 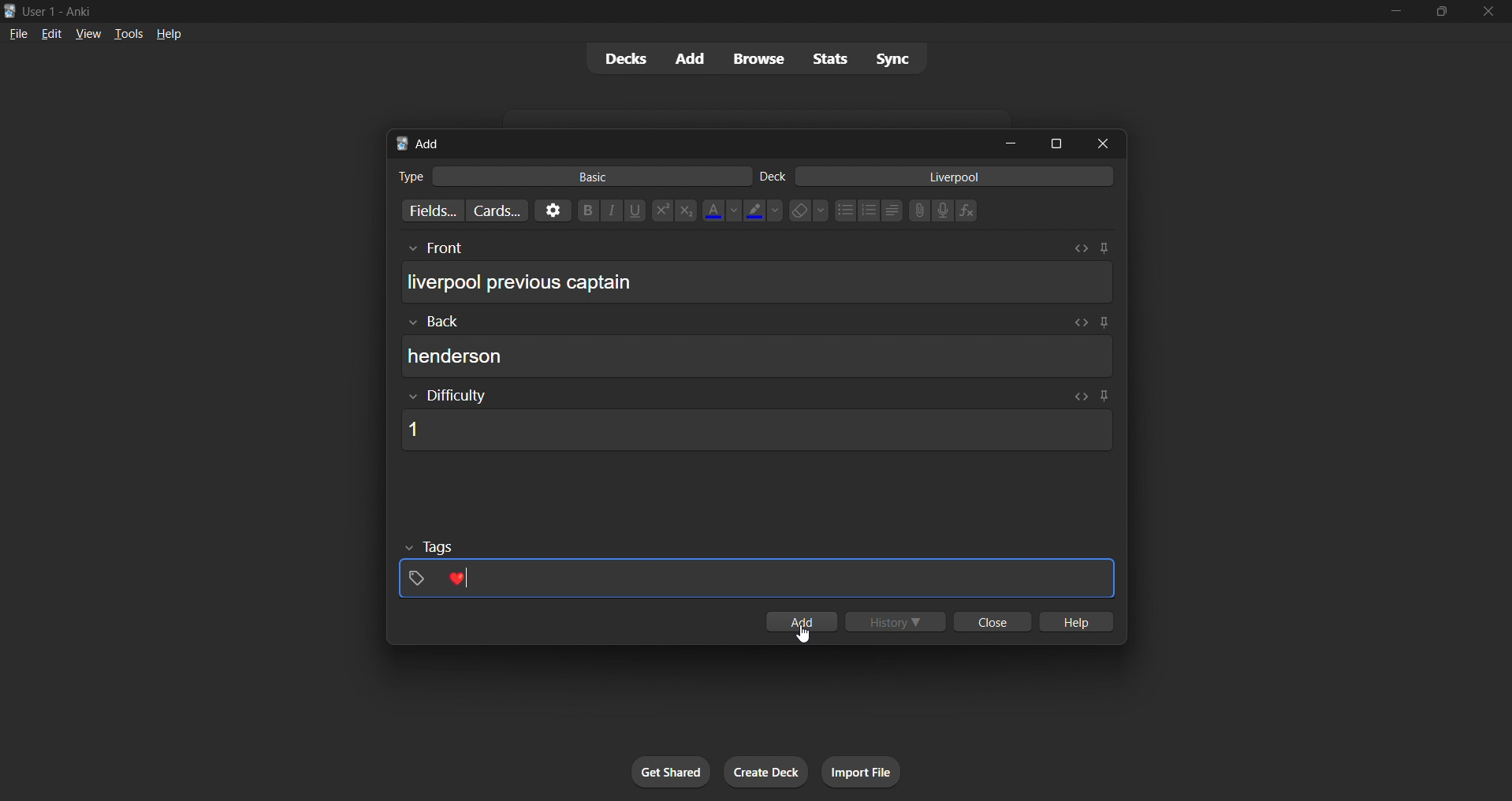 What do you see at coordinates (1108, 143) in the screenshot?
I see `close` at bounding box center [1108, 143].